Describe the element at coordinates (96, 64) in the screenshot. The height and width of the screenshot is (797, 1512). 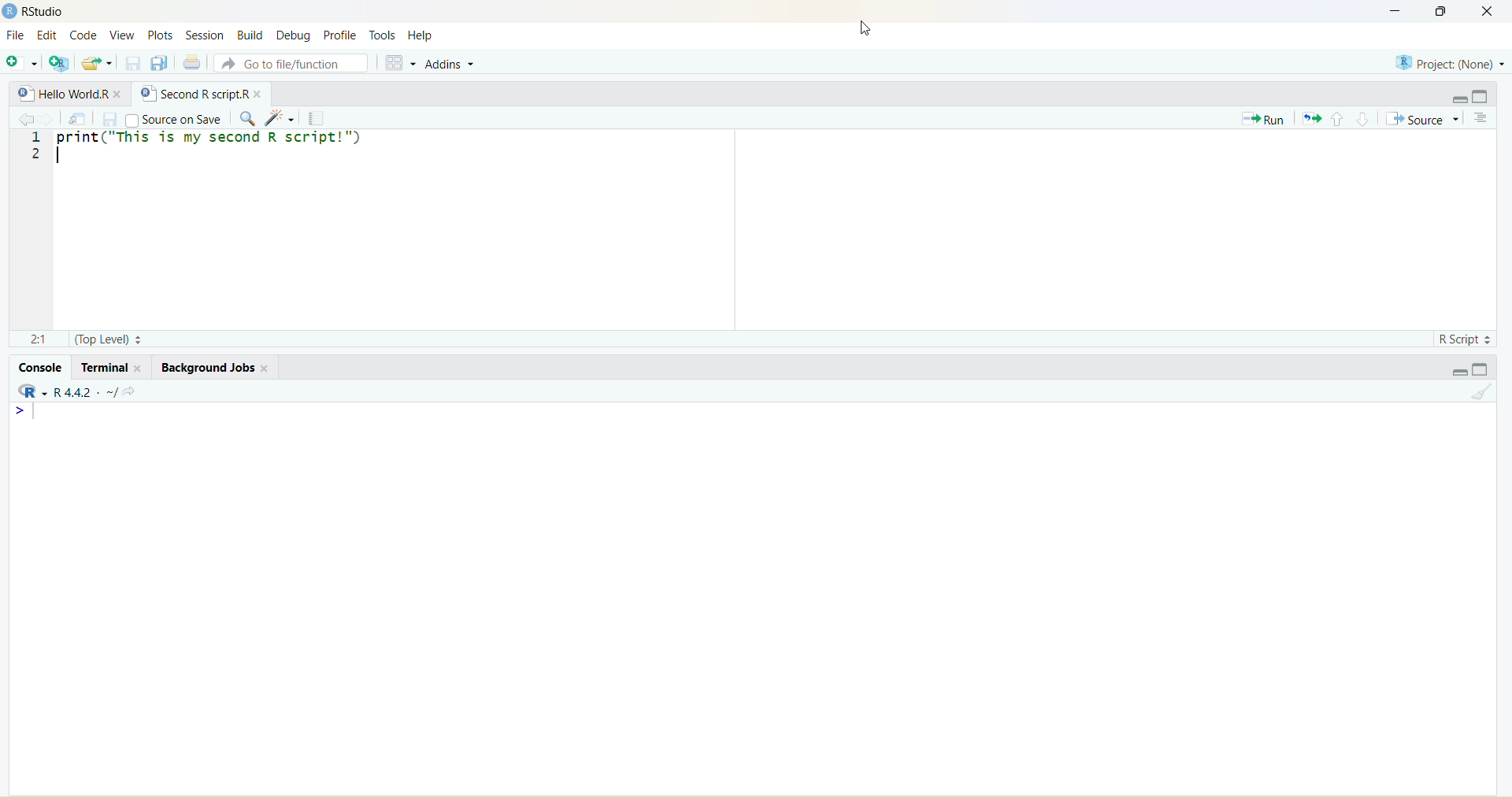
I see `Open an existing file (Ctrl + O)` at that location.